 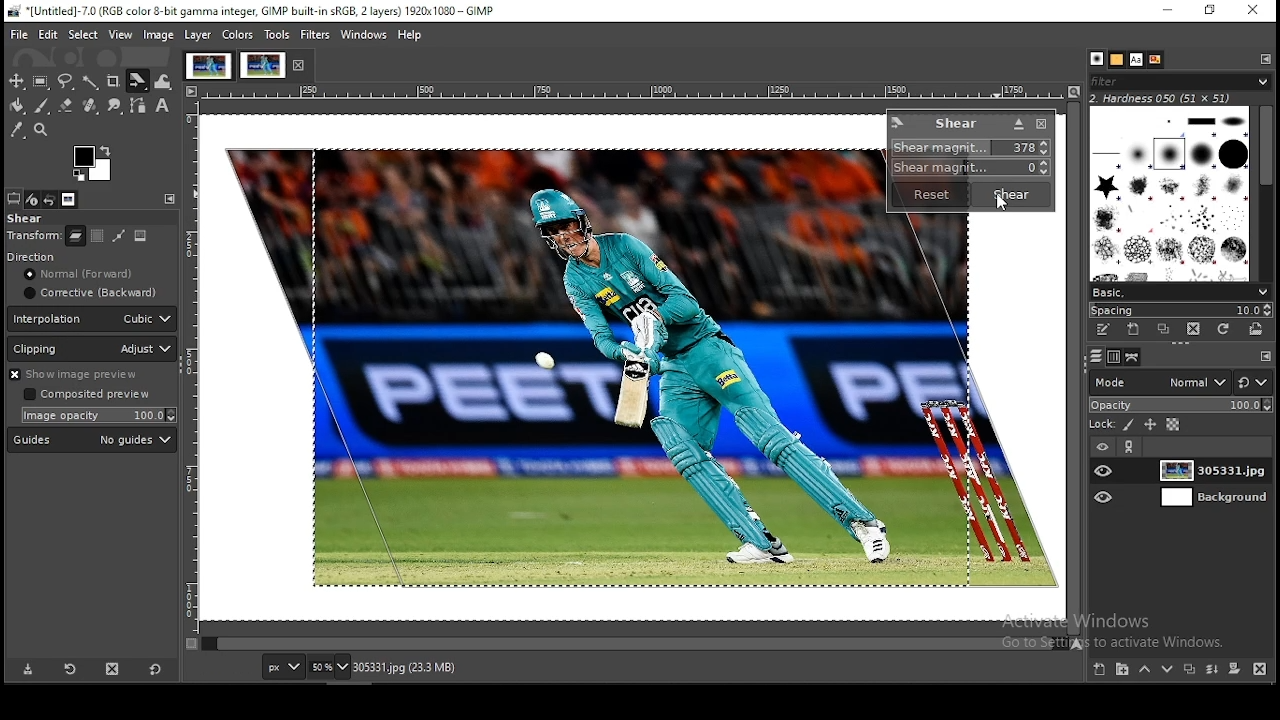 What do you see at coordinates (1255, 331) in the screenshot?
I see `open brush as image` at bounding box center [1255, 331].